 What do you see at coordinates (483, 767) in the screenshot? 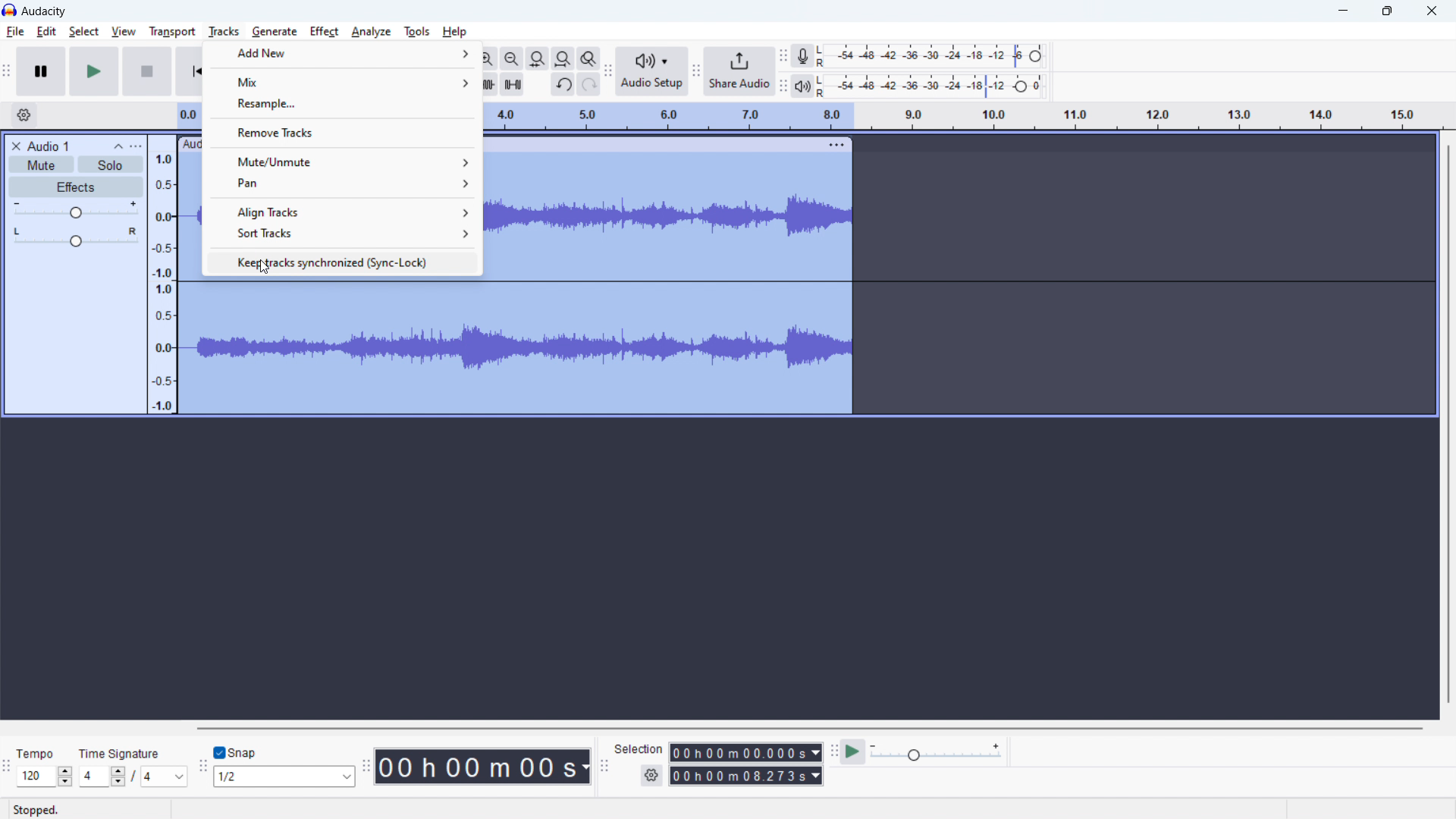
I see `timestamp` at bounding box center [483, 767].